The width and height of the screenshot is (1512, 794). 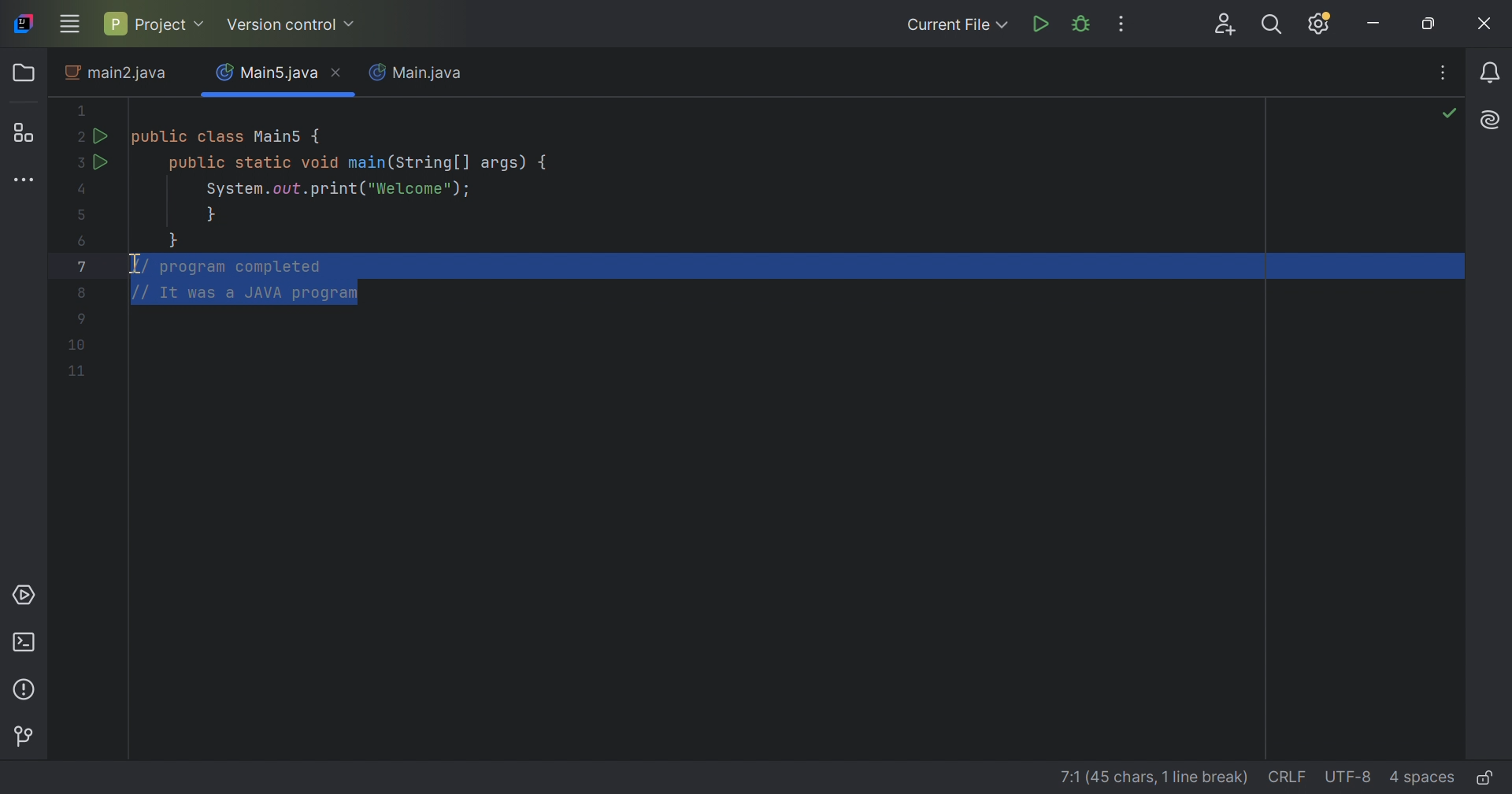 I want to click on UTF-8(file encoding), so click(x=1347, y=777).